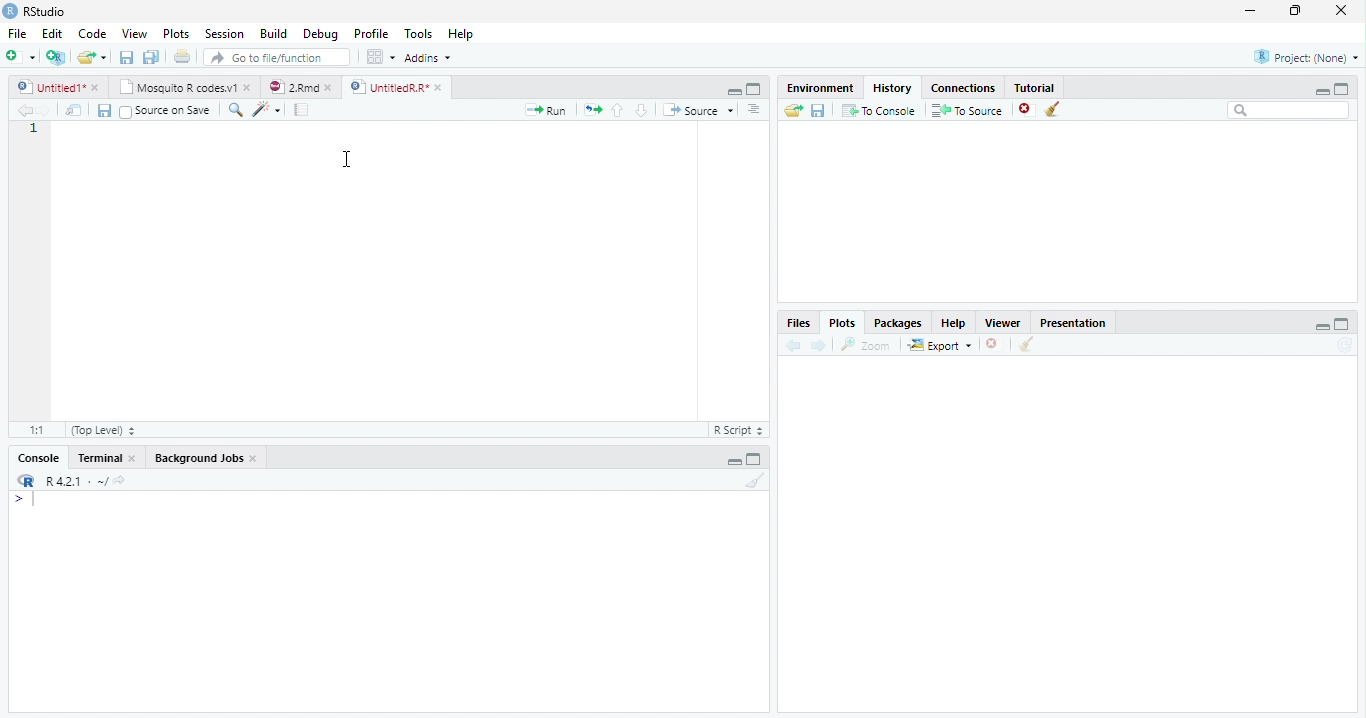 Image resolution: width=1366 pixels, height=718 pixels. What do you see at coordinates (940, 345) in the screenshot?
I see `Export` at bounding box center [940, 345].